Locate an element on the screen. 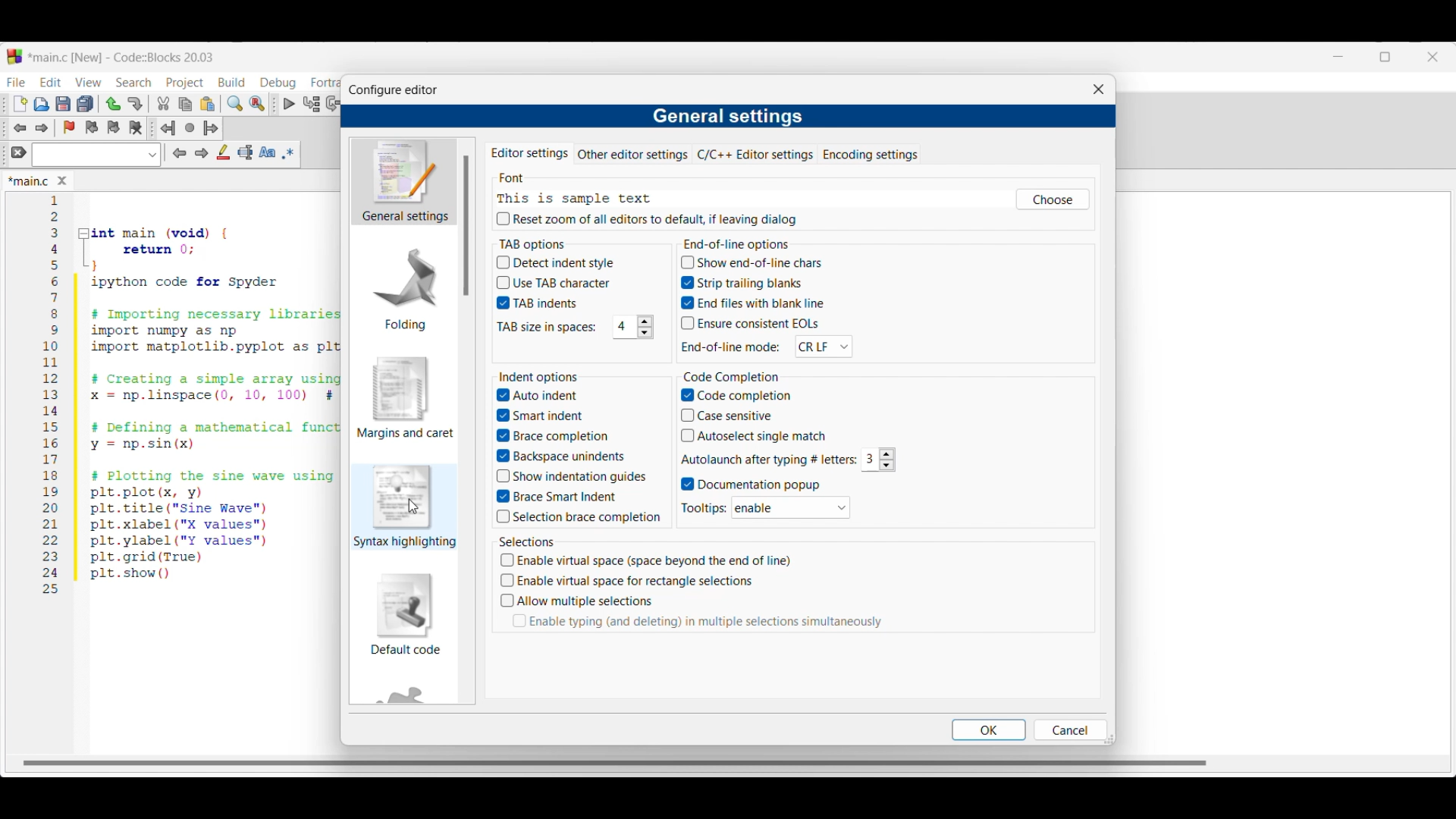 The height and width of the screenshot is (819, 1456). Section title is located at coordinates (526, 541).